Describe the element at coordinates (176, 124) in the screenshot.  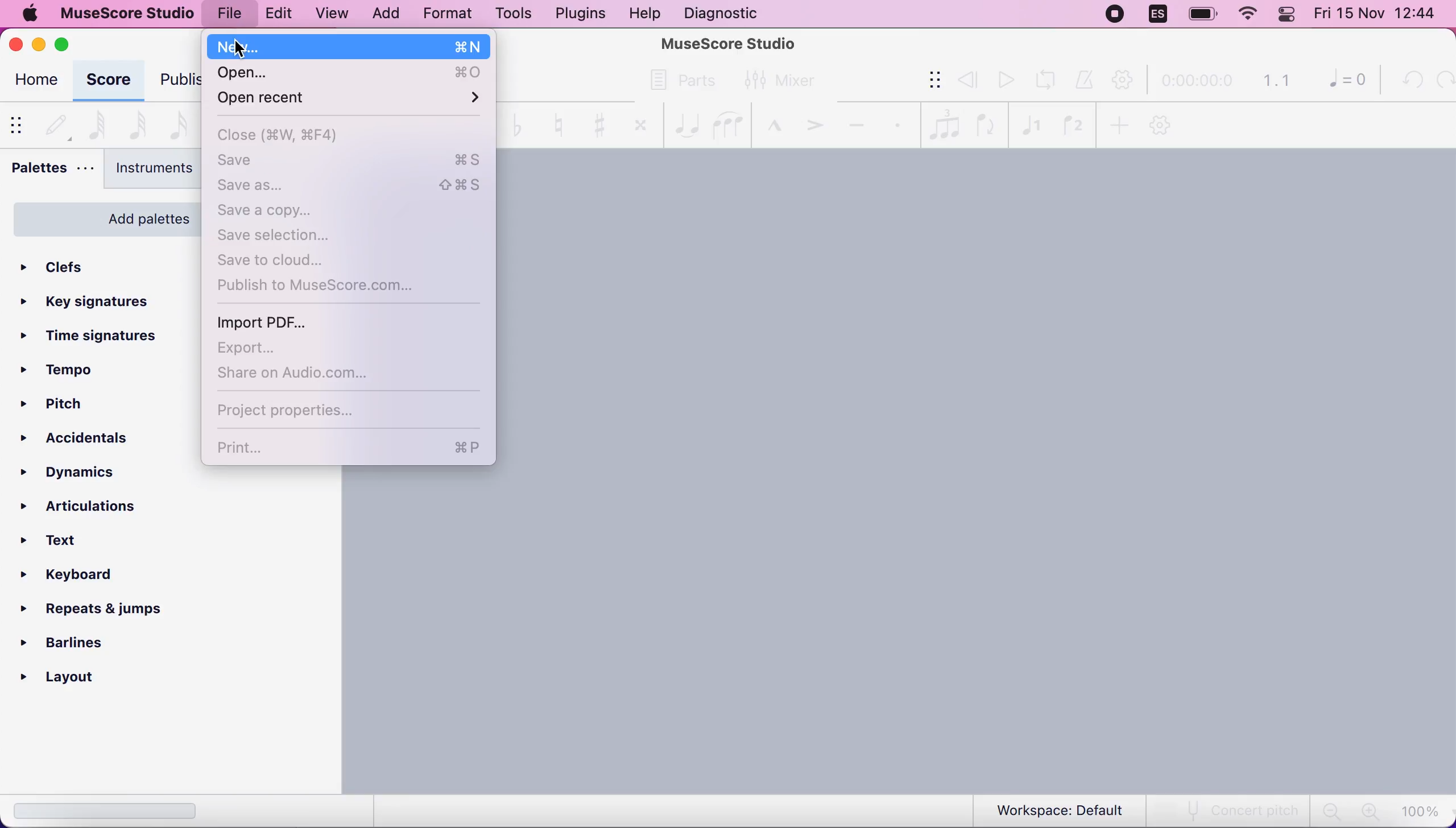
I see `16th note` at that location.